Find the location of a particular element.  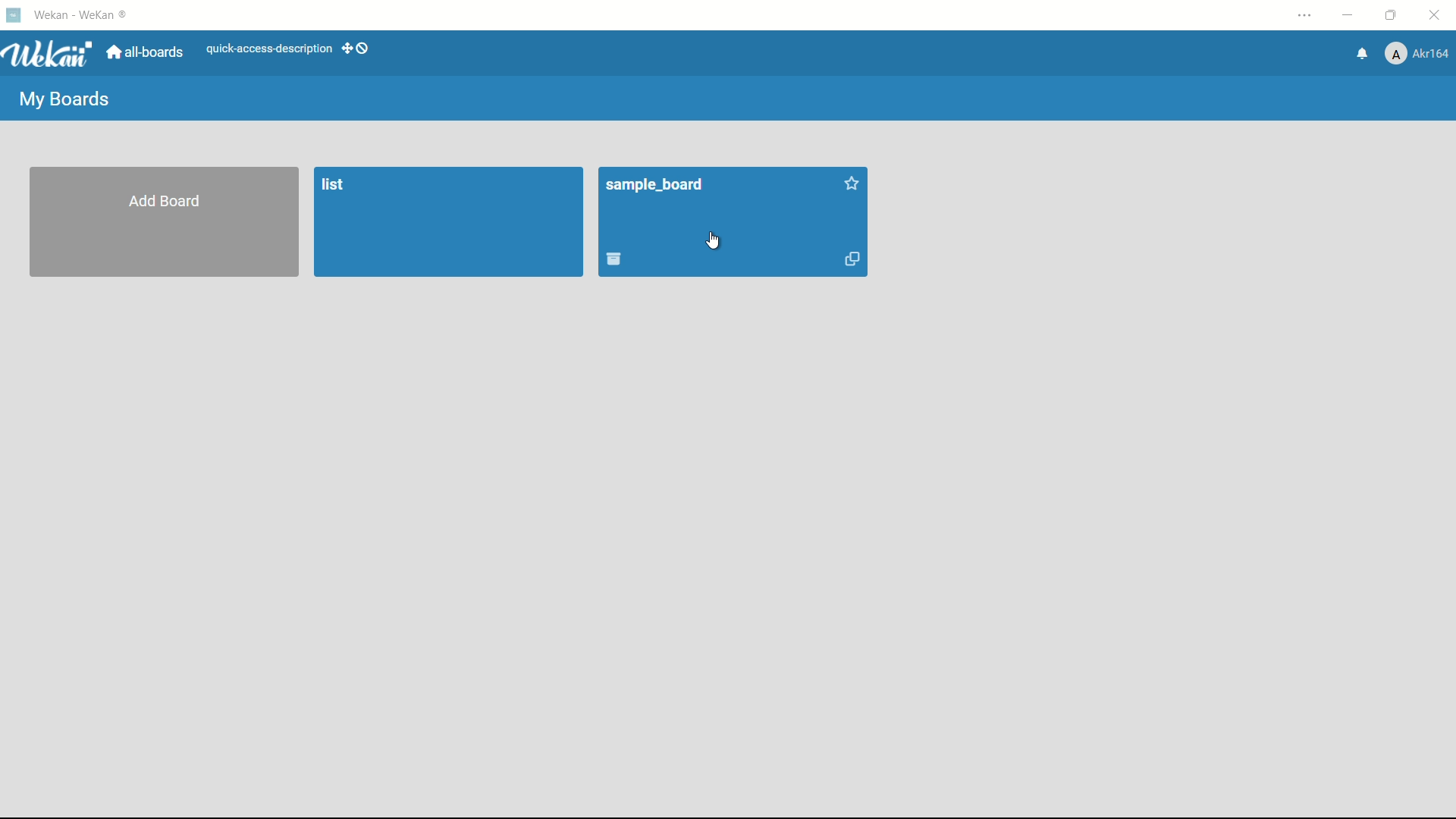

move board to archive is located at coordinates (615, 260).